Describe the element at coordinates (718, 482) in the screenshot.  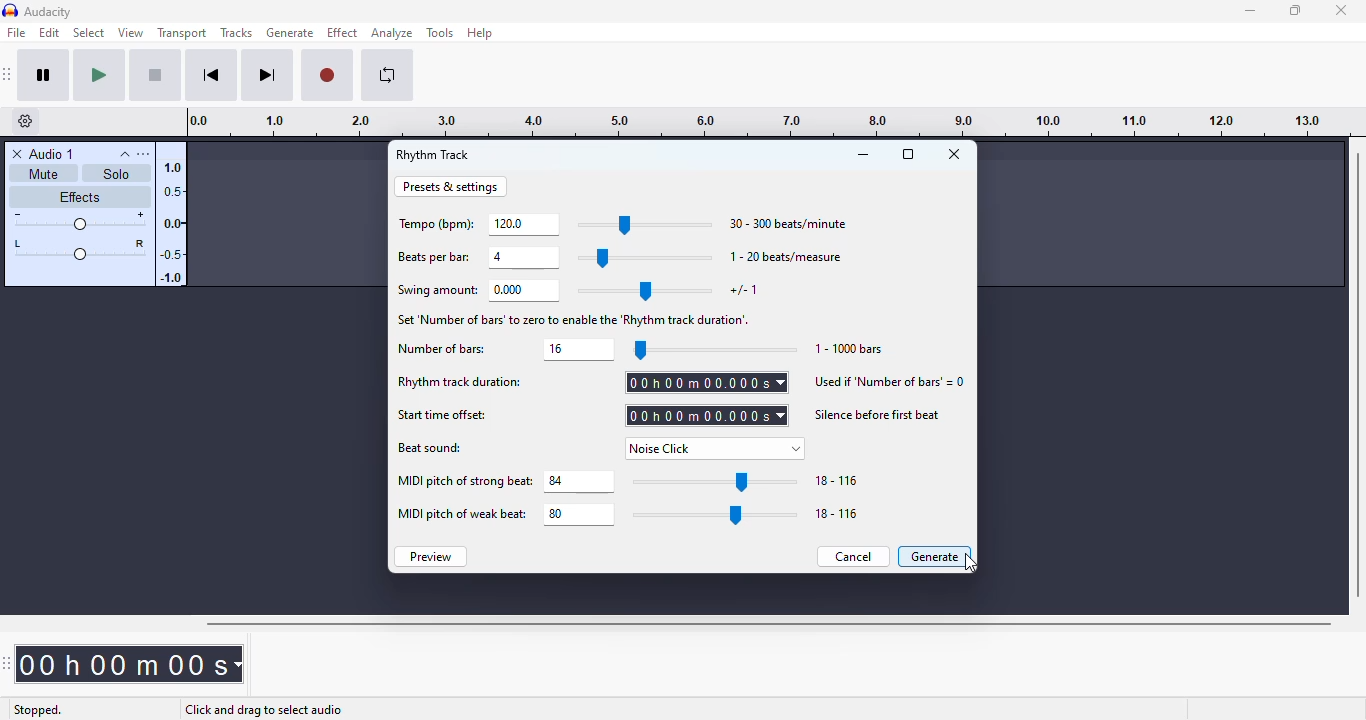
I see `slider` at that location.